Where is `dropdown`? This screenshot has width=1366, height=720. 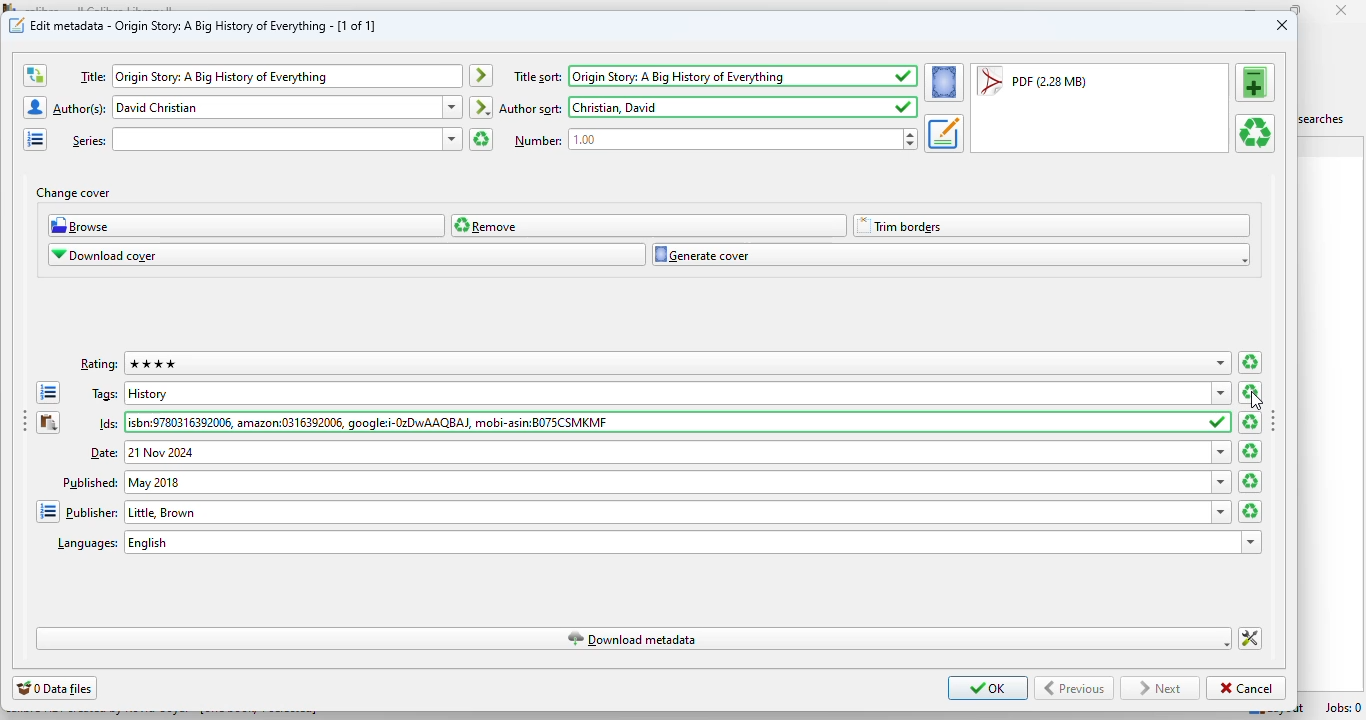
dropdown is located at coordinates (1221, 394).